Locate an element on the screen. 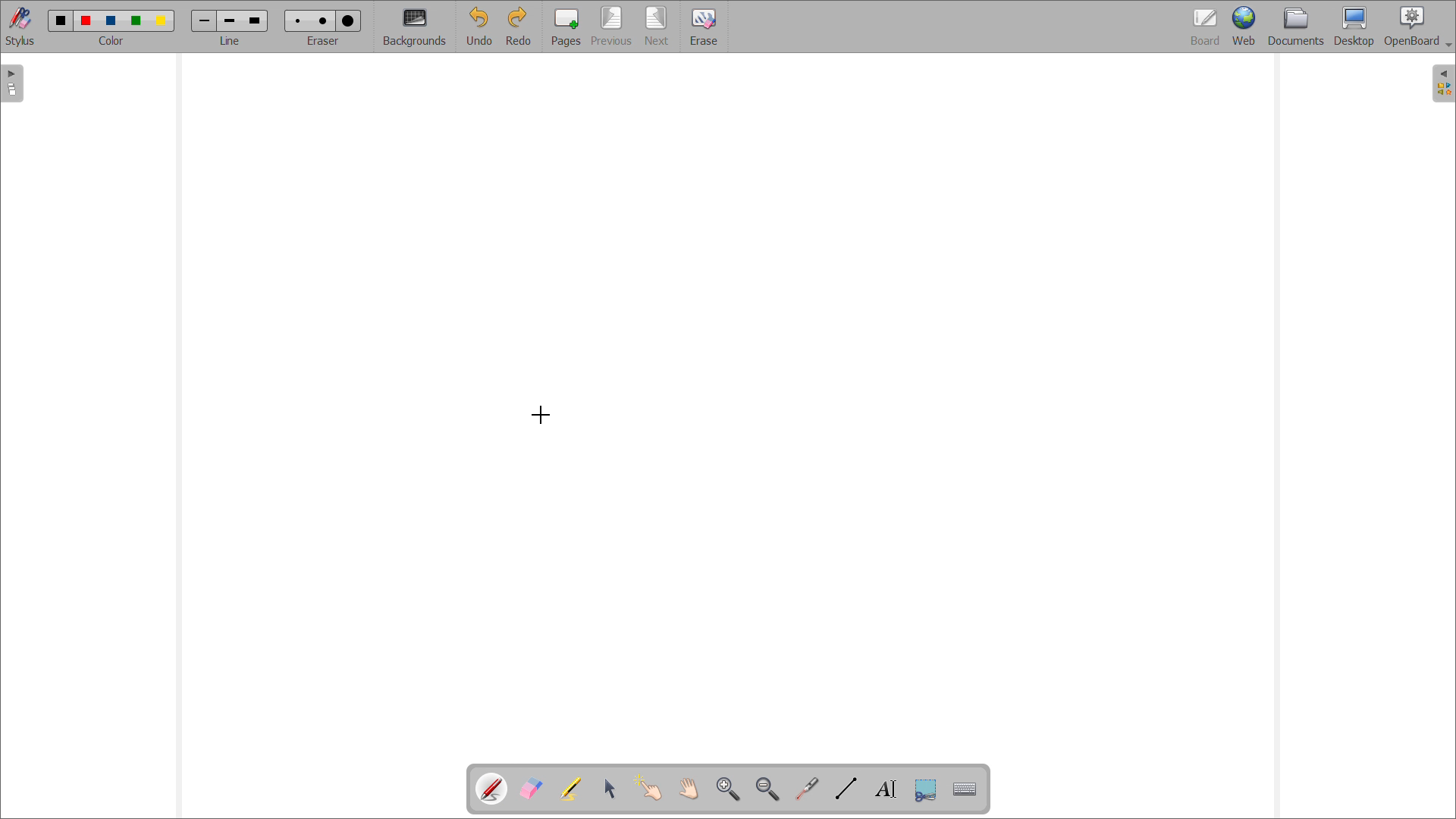 This screenshot has height=819, width=1456. color is located at coordinates (114, 20).